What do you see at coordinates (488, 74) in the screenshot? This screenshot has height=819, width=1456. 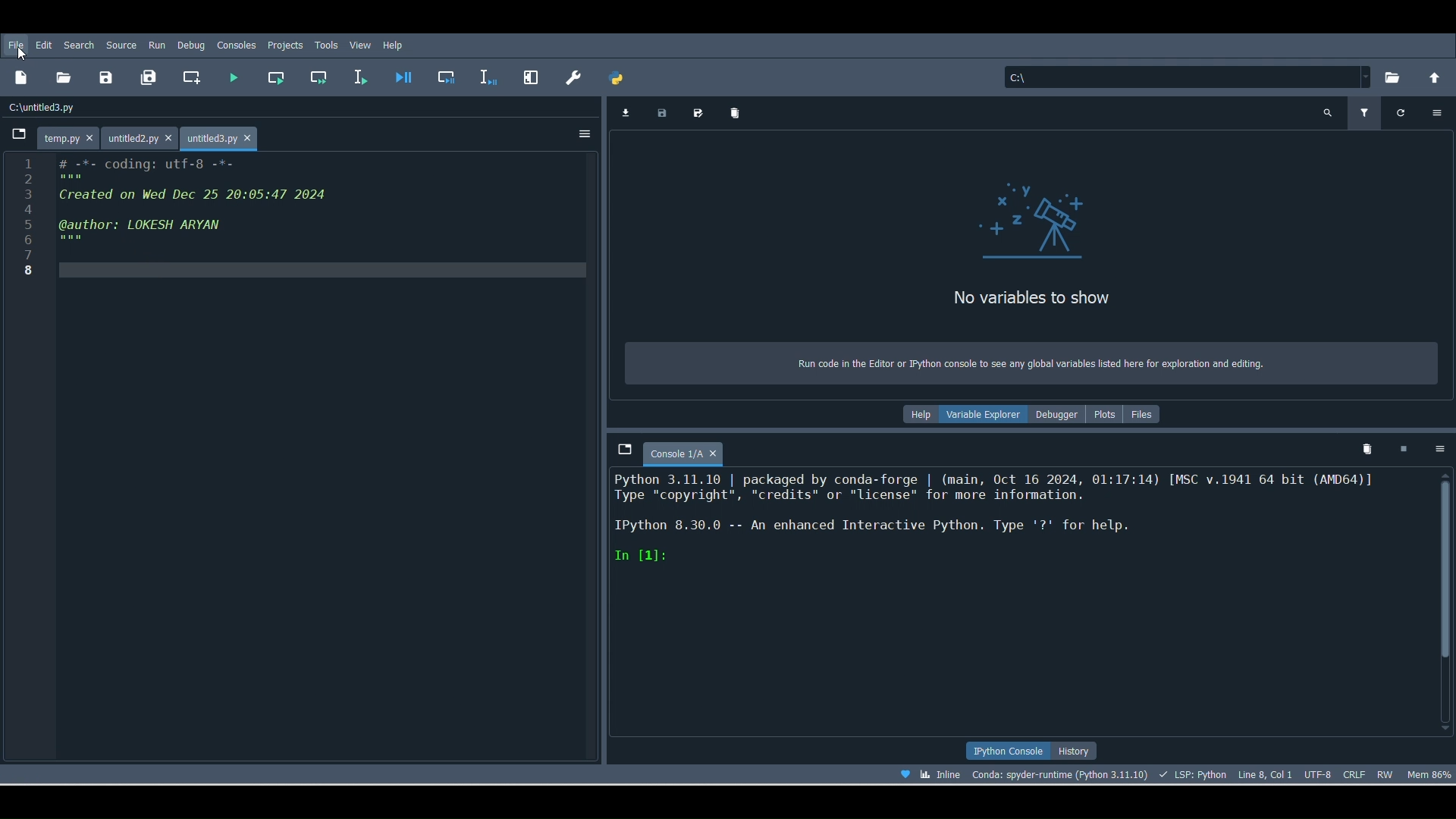 I see `Debug selection or current line` at bounding box center [488, 74].